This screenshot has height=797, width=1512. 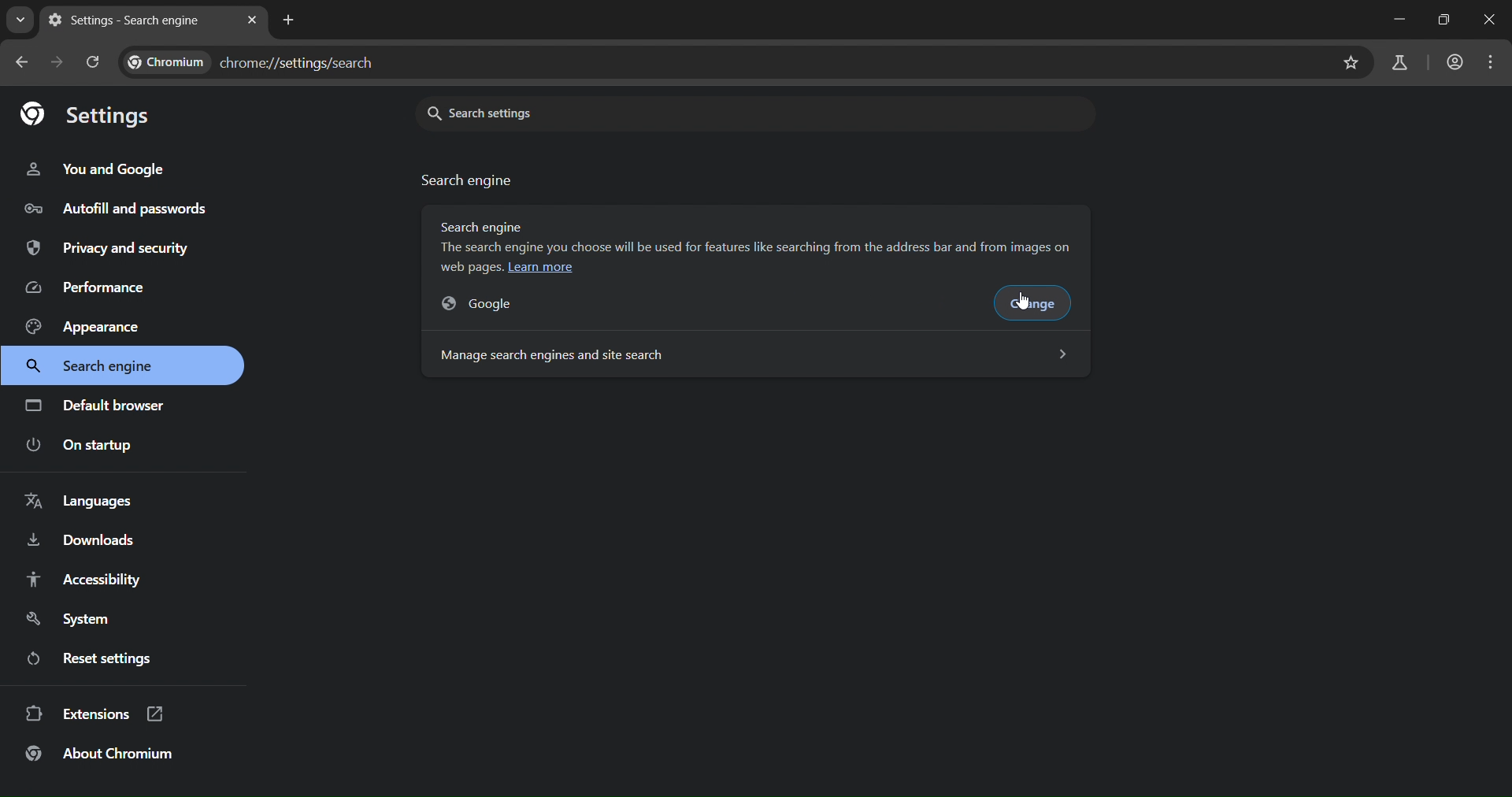 What do you see at coordinates (492, 303) in the screenshot?
I see `google` at bounding box center [492, 303].